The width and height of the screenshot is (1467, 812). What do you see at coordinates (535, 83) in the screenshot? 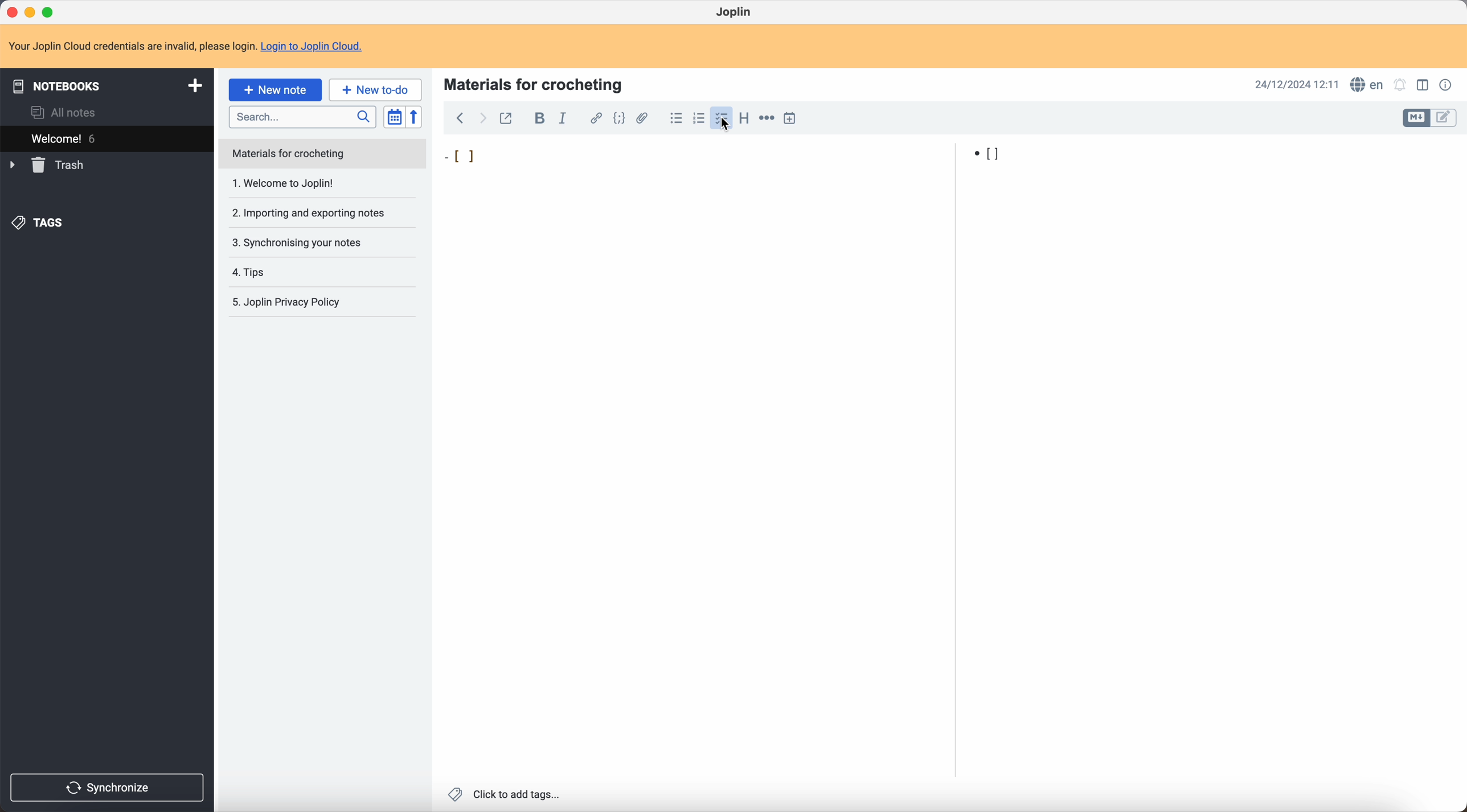
I see `materials for crocheting` at bounding box center [535, 83].